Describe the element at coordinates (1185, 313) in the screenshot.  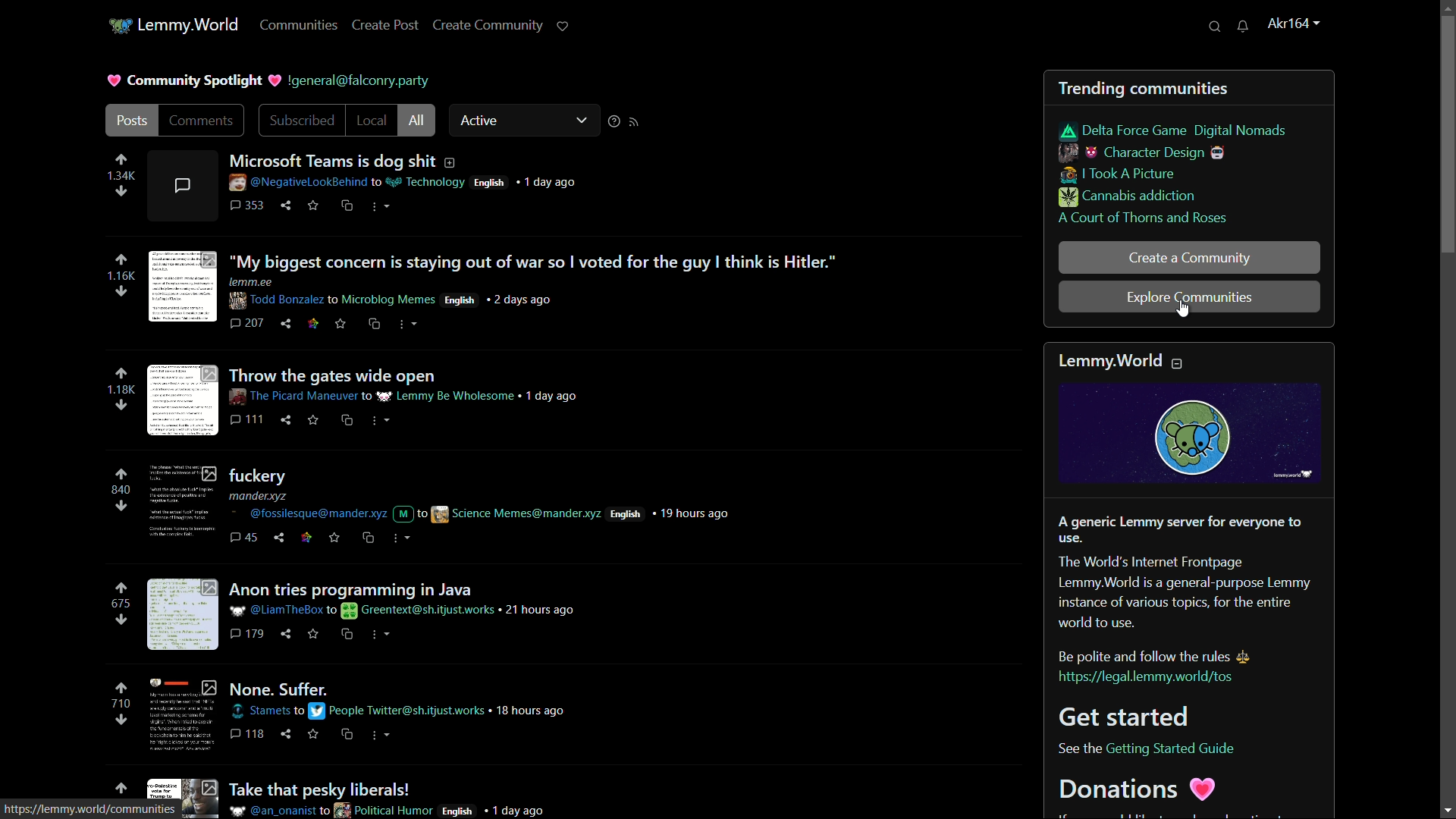
I see `cursor` at that location.